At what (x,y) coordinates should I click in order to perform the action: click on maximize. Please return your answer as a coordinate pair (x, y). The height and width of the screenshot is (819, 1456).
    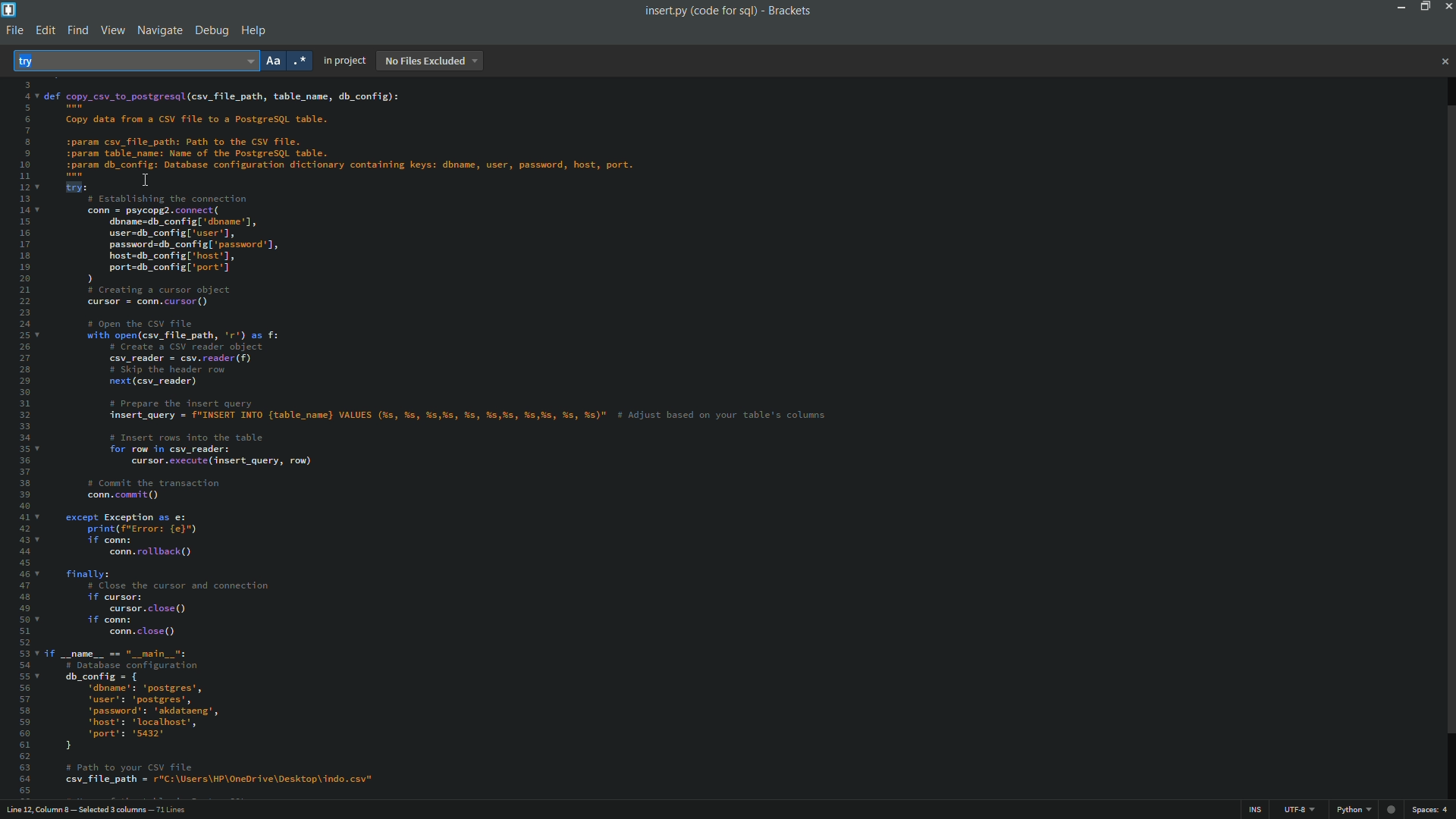
    Looking at the image, I should click on (1422, 6).